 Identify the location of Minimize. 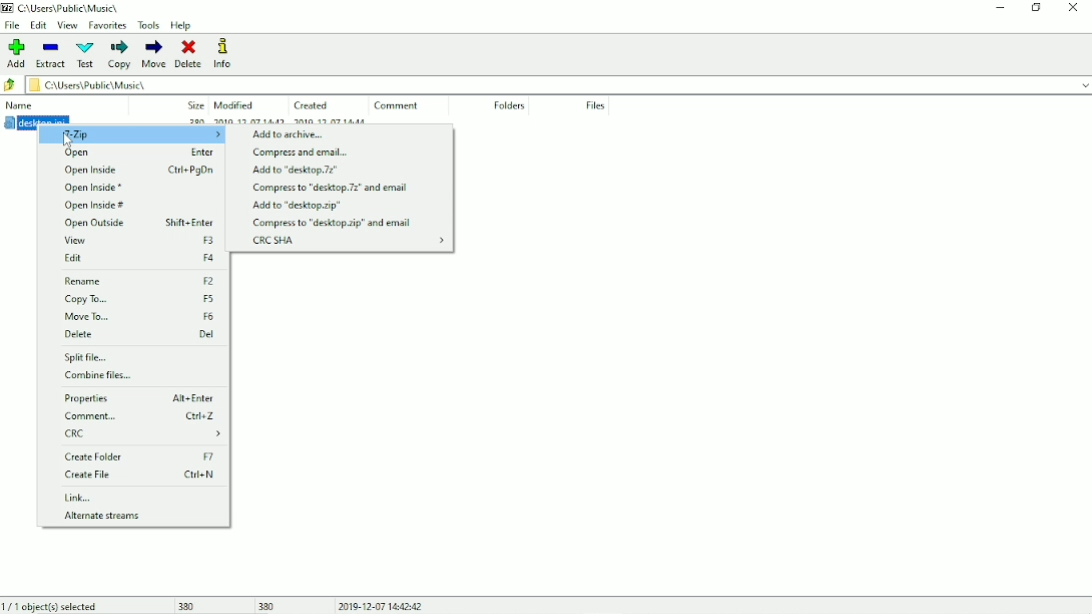
(1001, 8).